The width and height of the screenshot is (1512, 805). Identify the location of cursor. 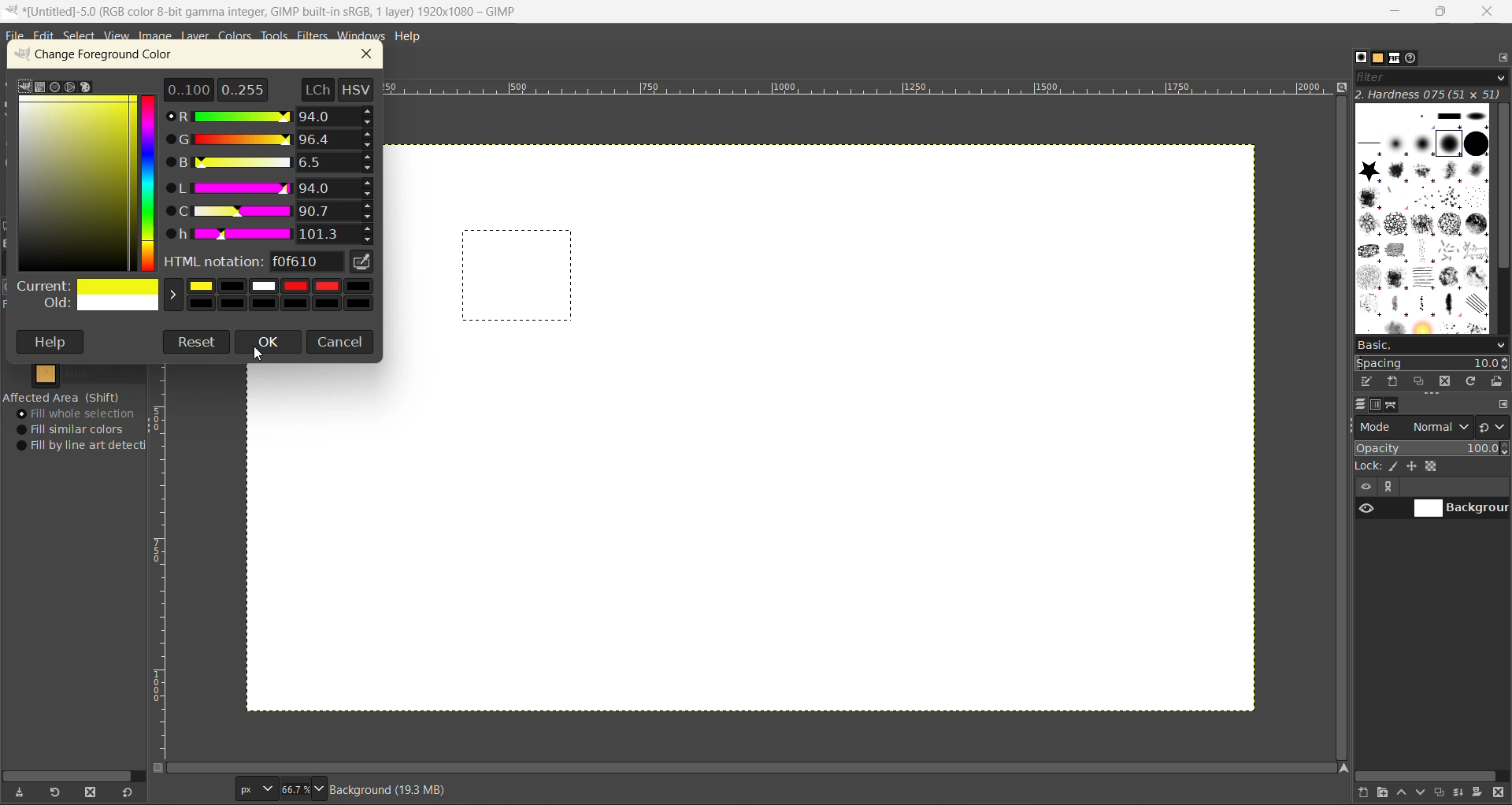
(268, 357).